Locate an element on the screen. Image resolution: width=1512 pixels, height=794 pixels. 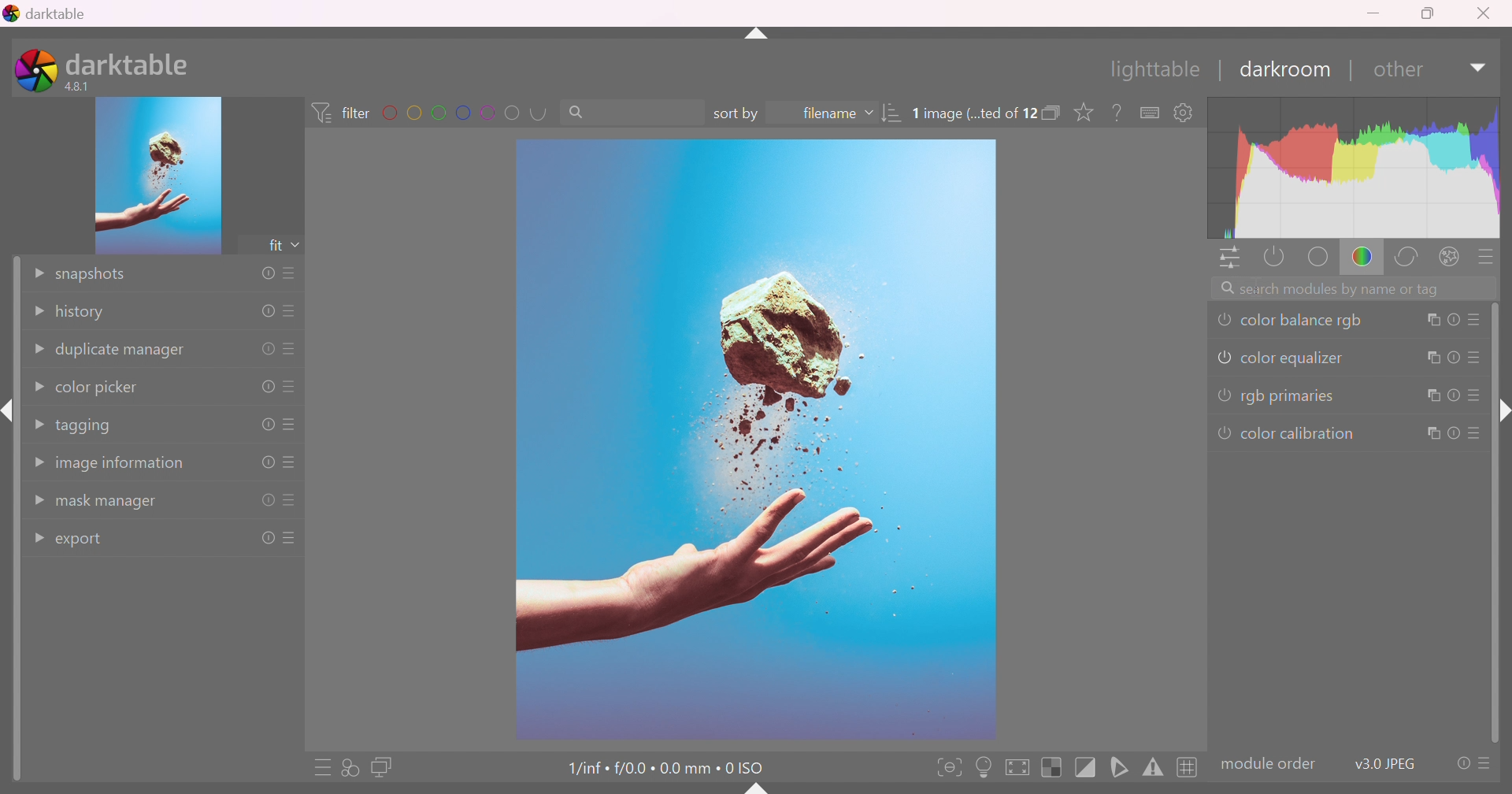
quick access to presets is located at coordinates (324, 770).